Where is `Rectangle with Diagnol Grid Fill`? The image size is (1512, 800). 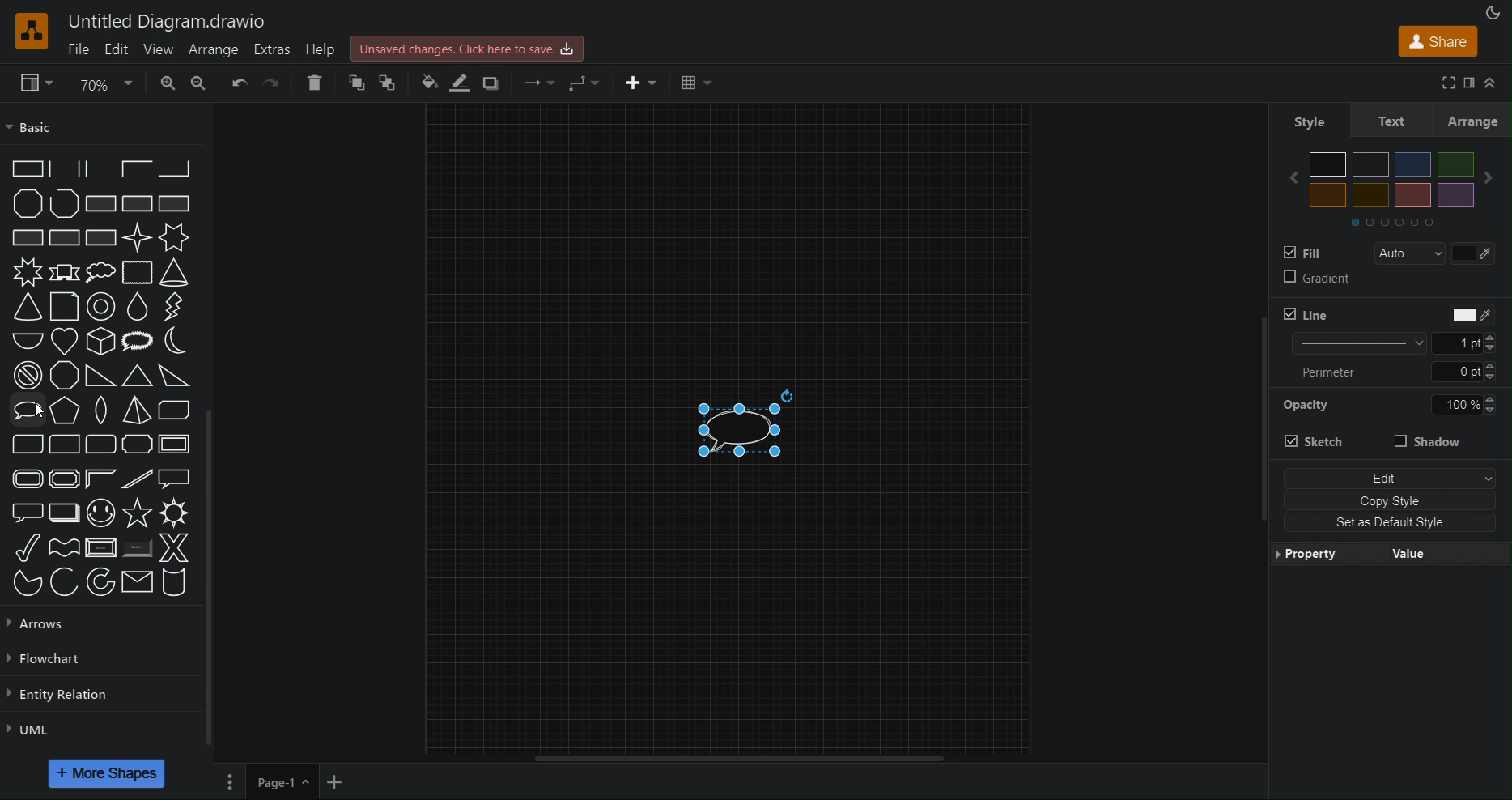
Rectangle with Diagnol Grid Fill is located at coordinates (101, 236).